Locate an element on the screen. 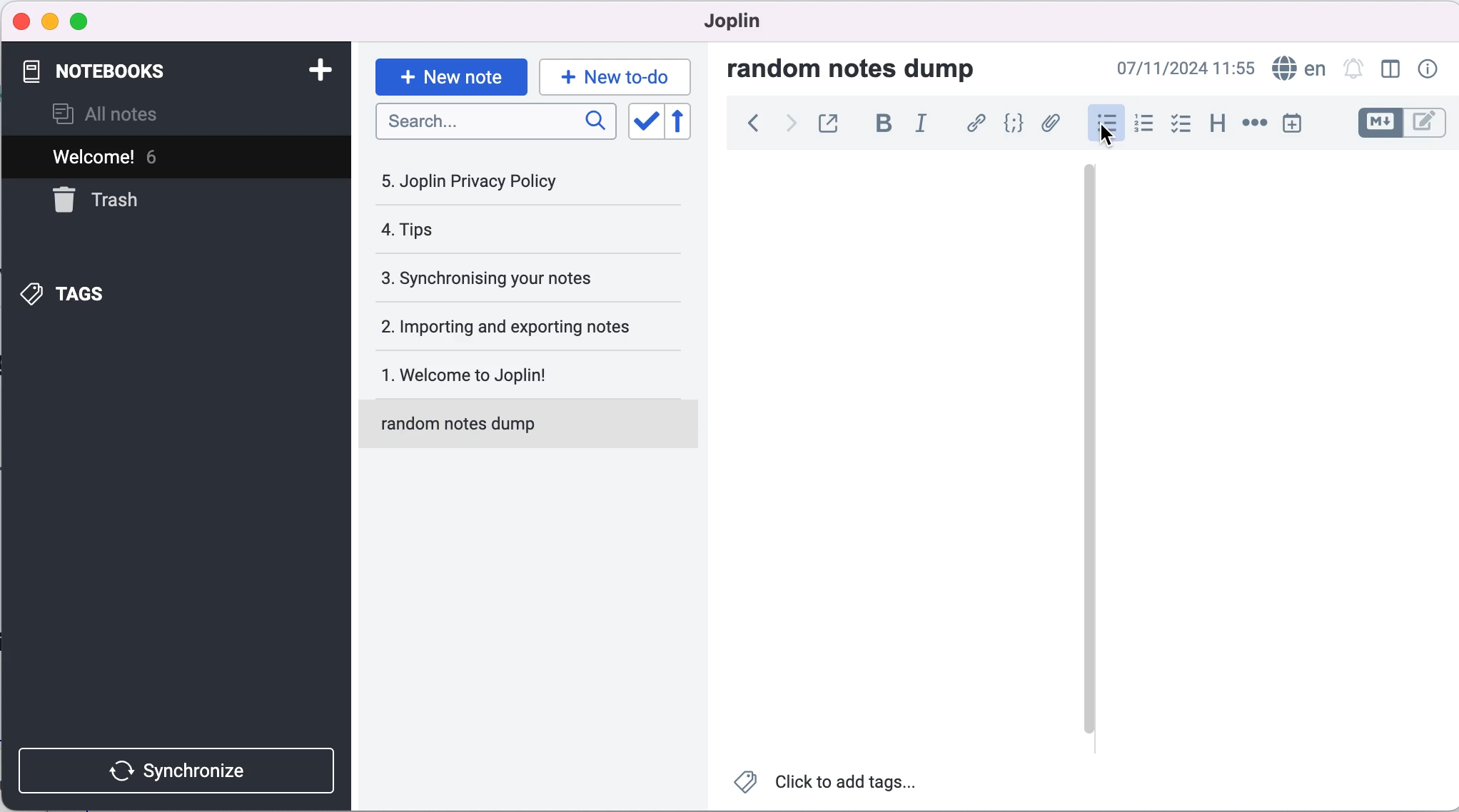 This screenshot has height=812, width=1459. joplin is located at coordinates (739, 25).